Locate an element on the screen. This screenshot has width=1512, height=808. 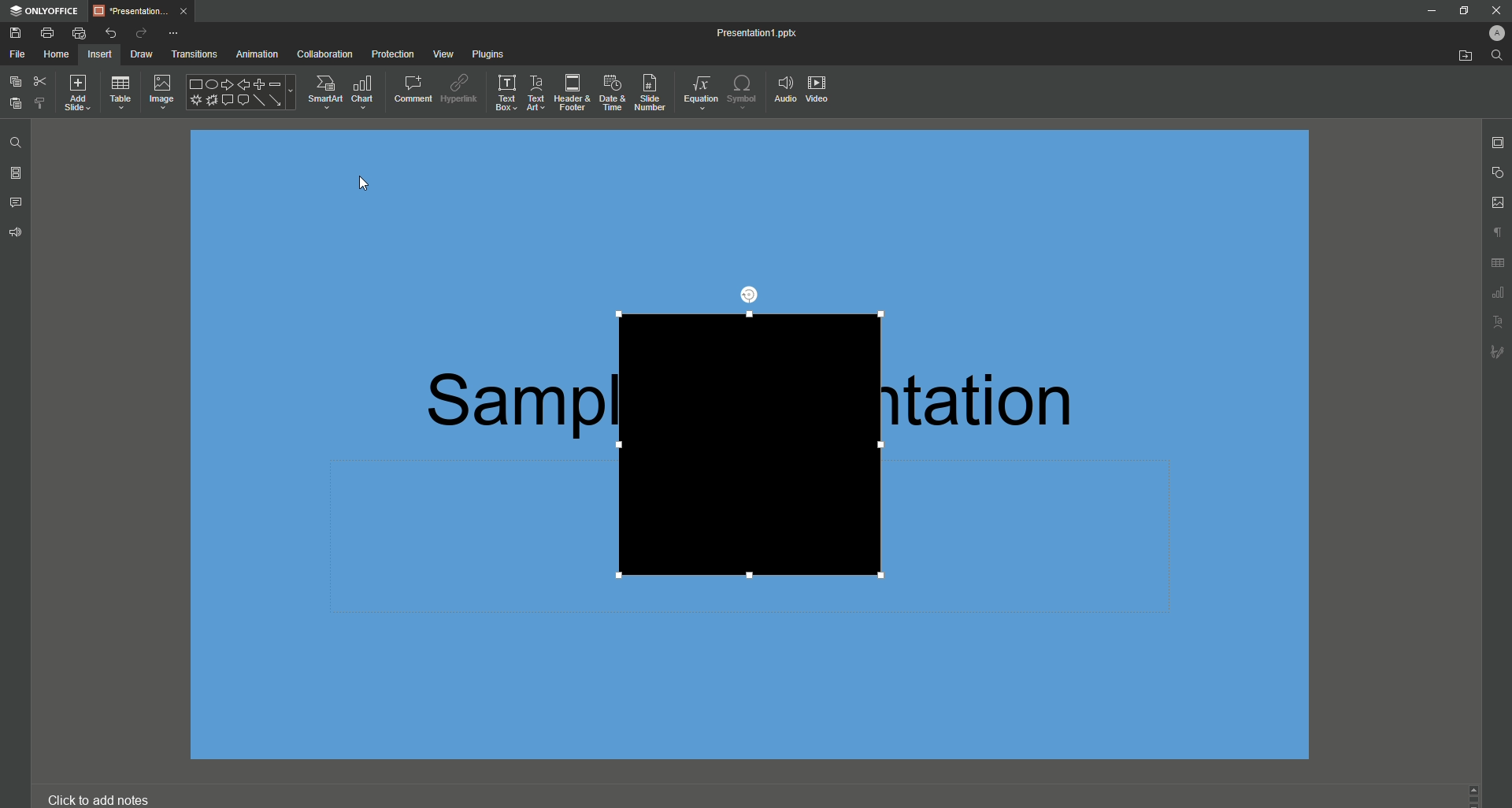
Symbol is located at coordinates (742, 91).